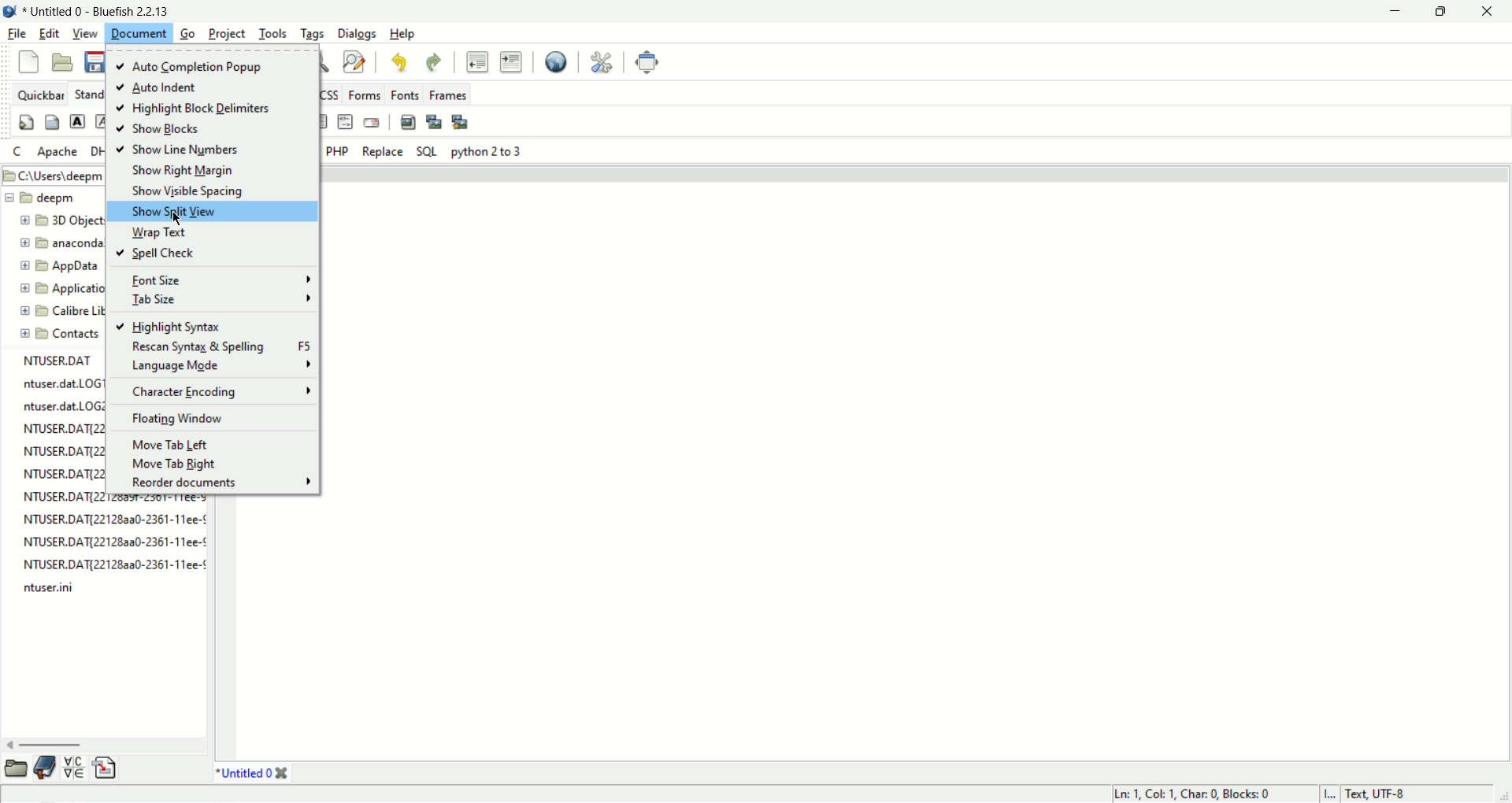  What do you see at coordinates (209, 418) in the screenshot?
I see `floating window` at bounding box center [209, 418].